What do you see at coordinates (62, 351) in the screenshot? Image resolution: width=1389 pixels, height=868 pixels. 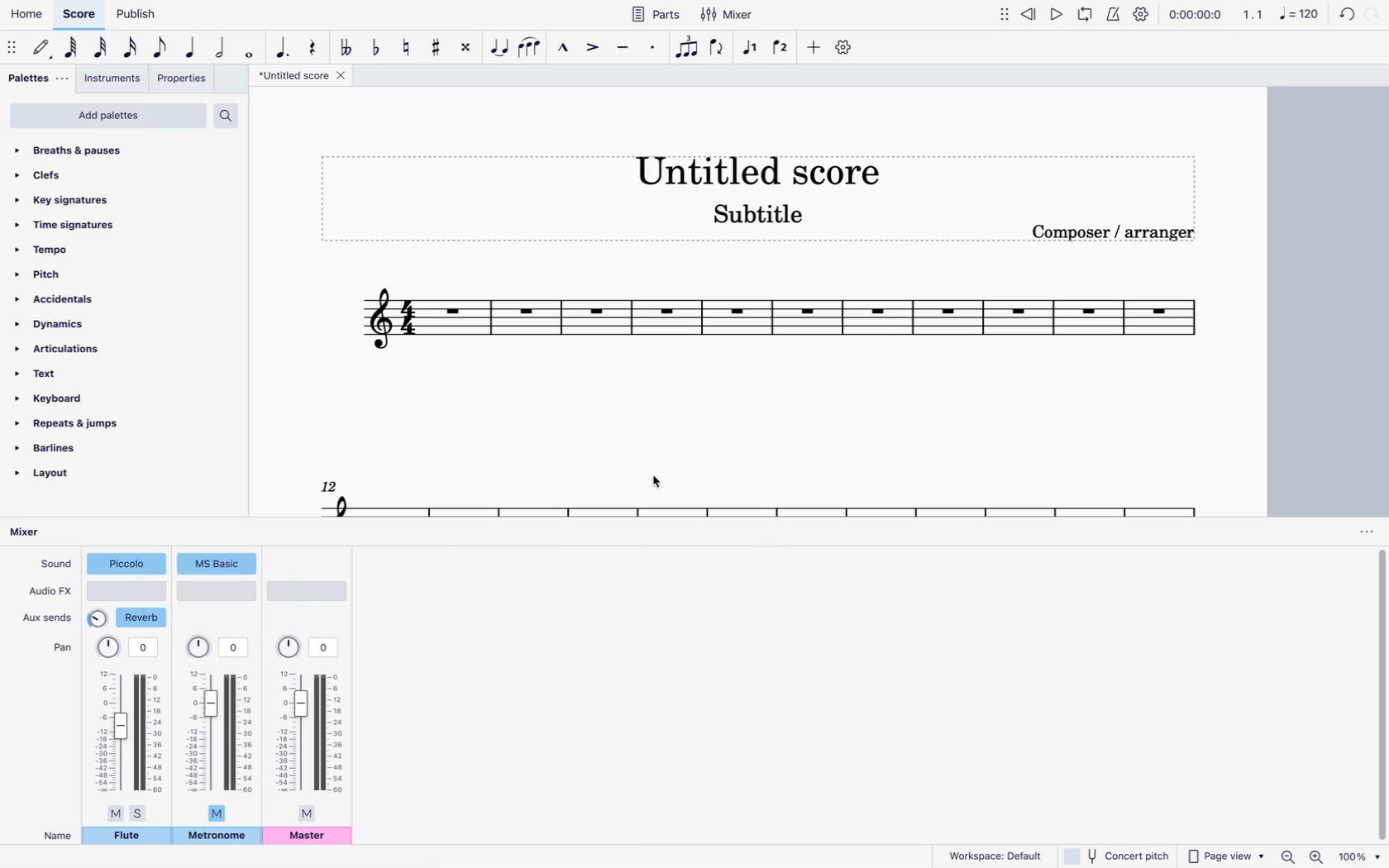 I see `articulations` at bounding box center [62, 351].